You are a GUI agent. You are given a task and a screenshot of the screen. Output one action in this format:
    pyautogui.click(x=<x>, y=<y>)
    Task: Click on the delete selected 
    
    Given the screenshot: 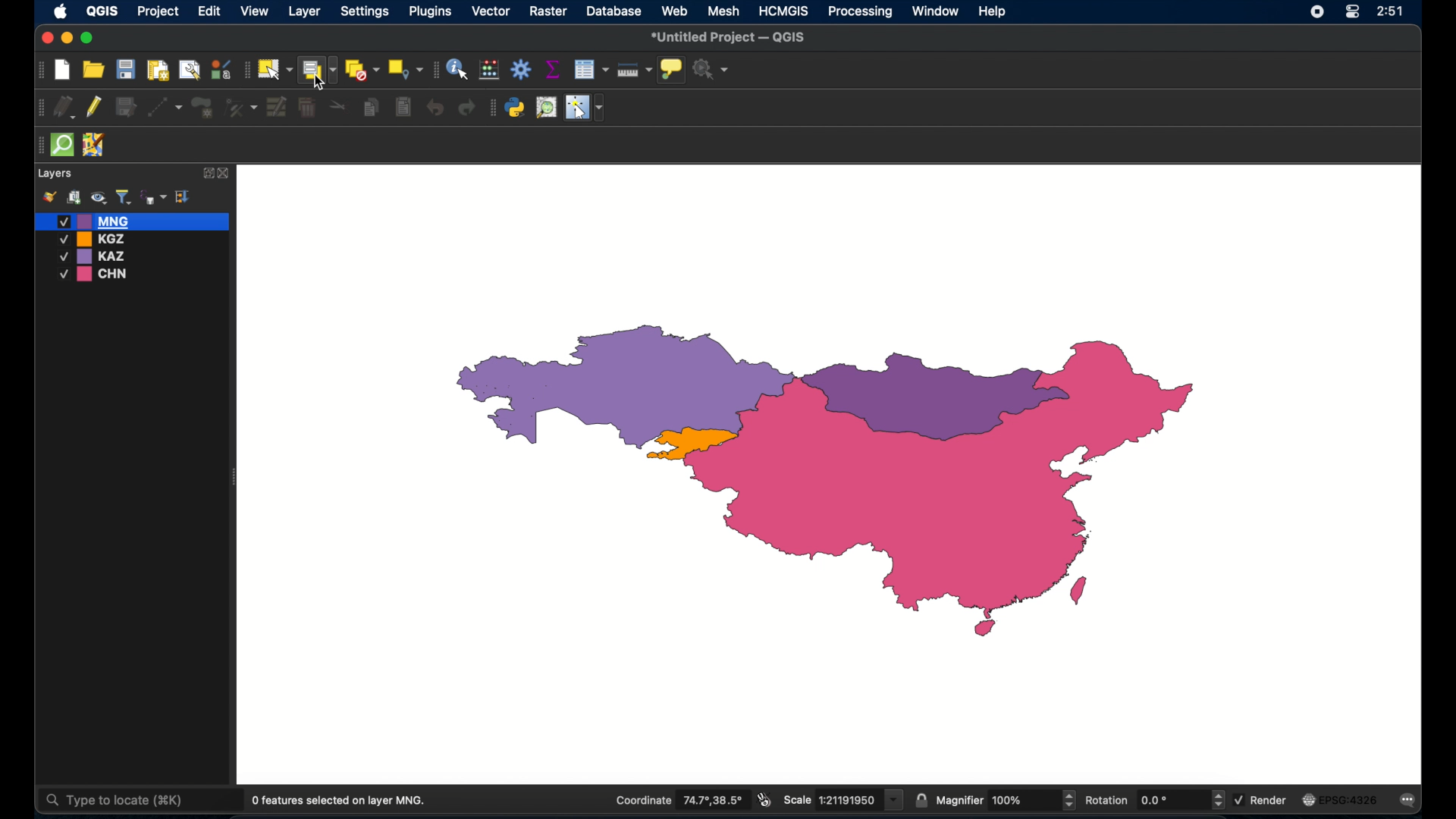 What is the action you would take?
    pyautogui.click(x=309, y=108)
    